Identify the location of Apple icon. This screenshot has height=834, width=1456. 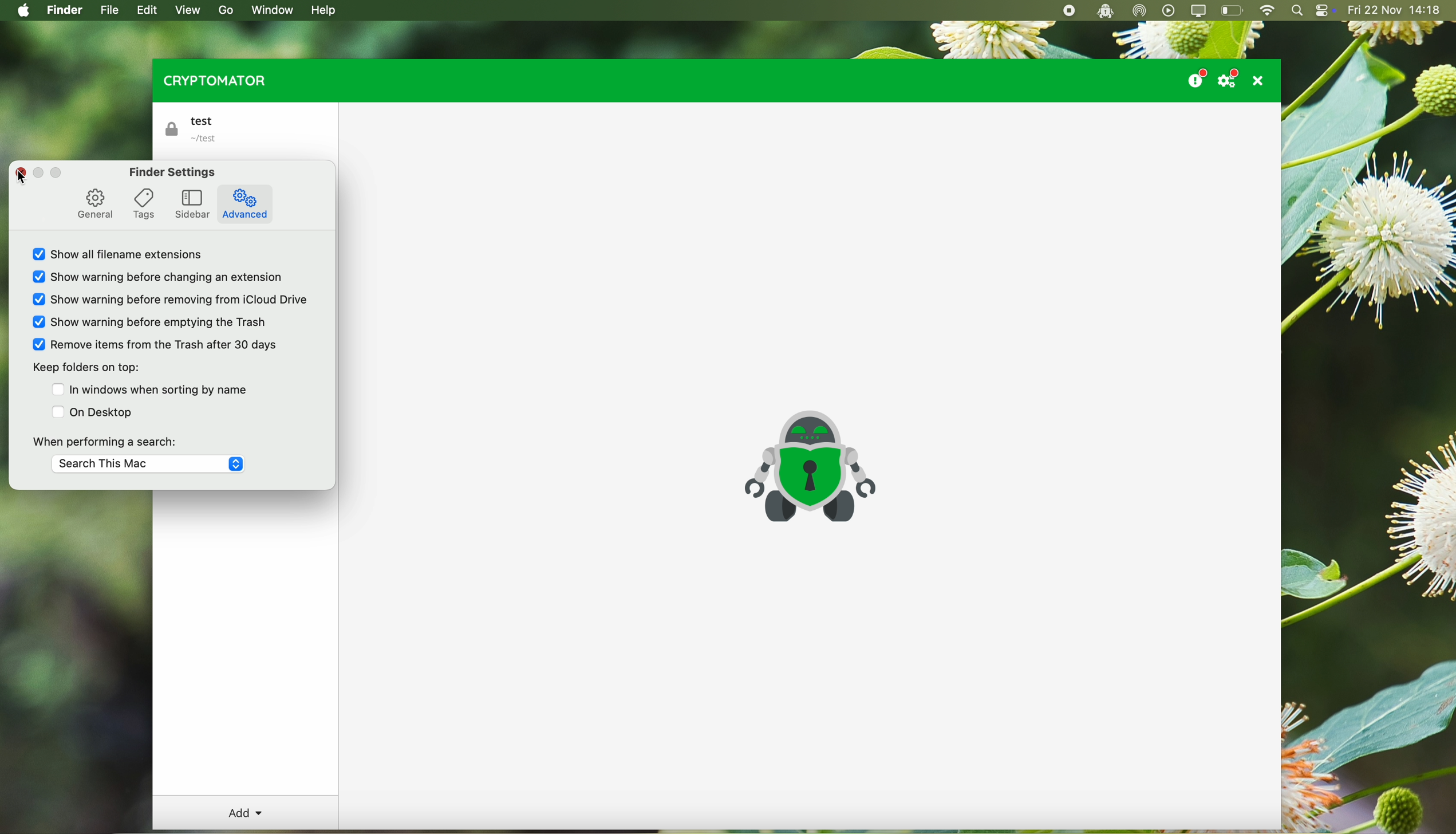
(20, 10).